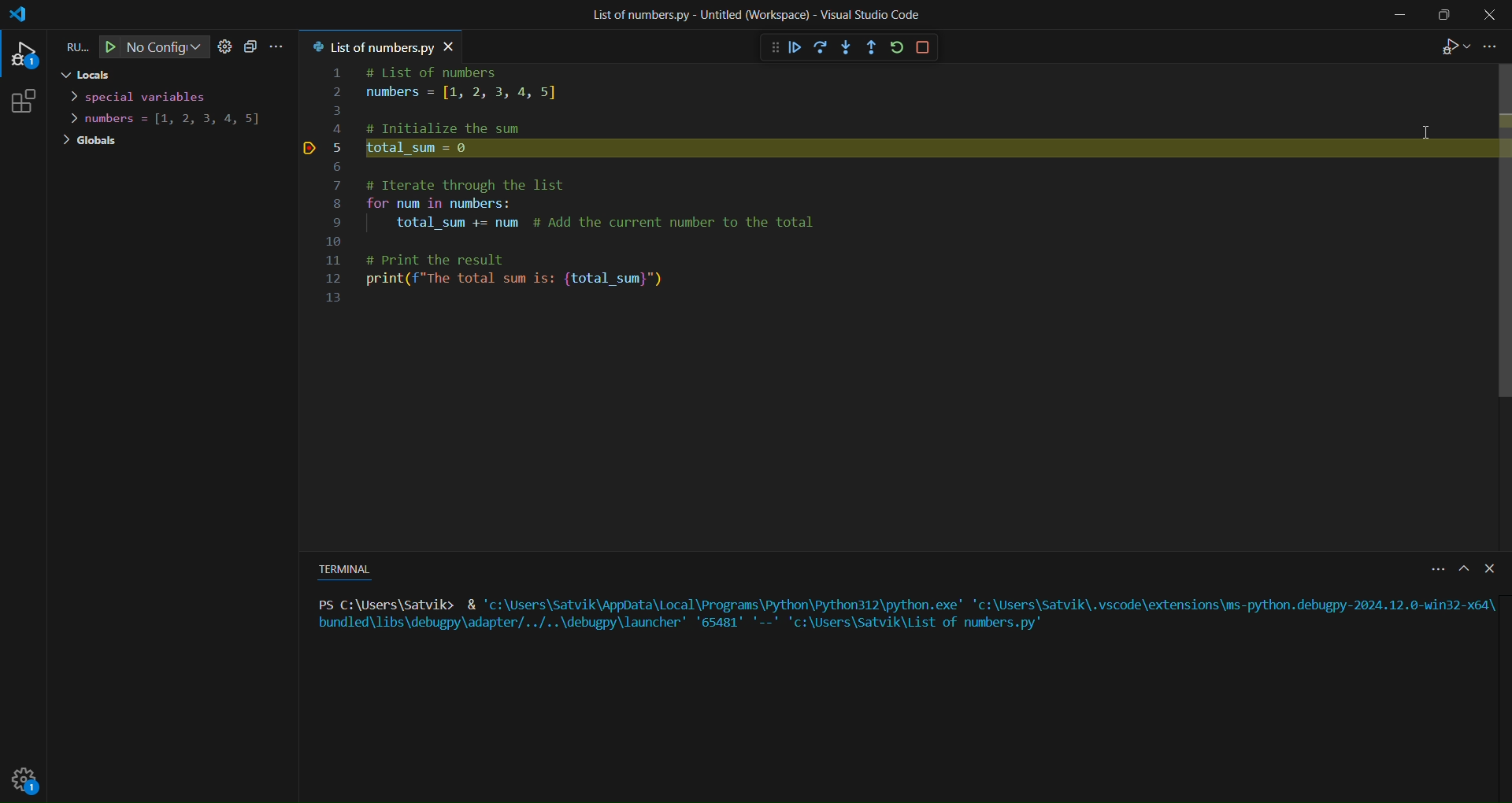  What do you see at coordinates (1499, 232) in the screenshot?
I see `Scroll bar` at bounding box center [1499, 232].